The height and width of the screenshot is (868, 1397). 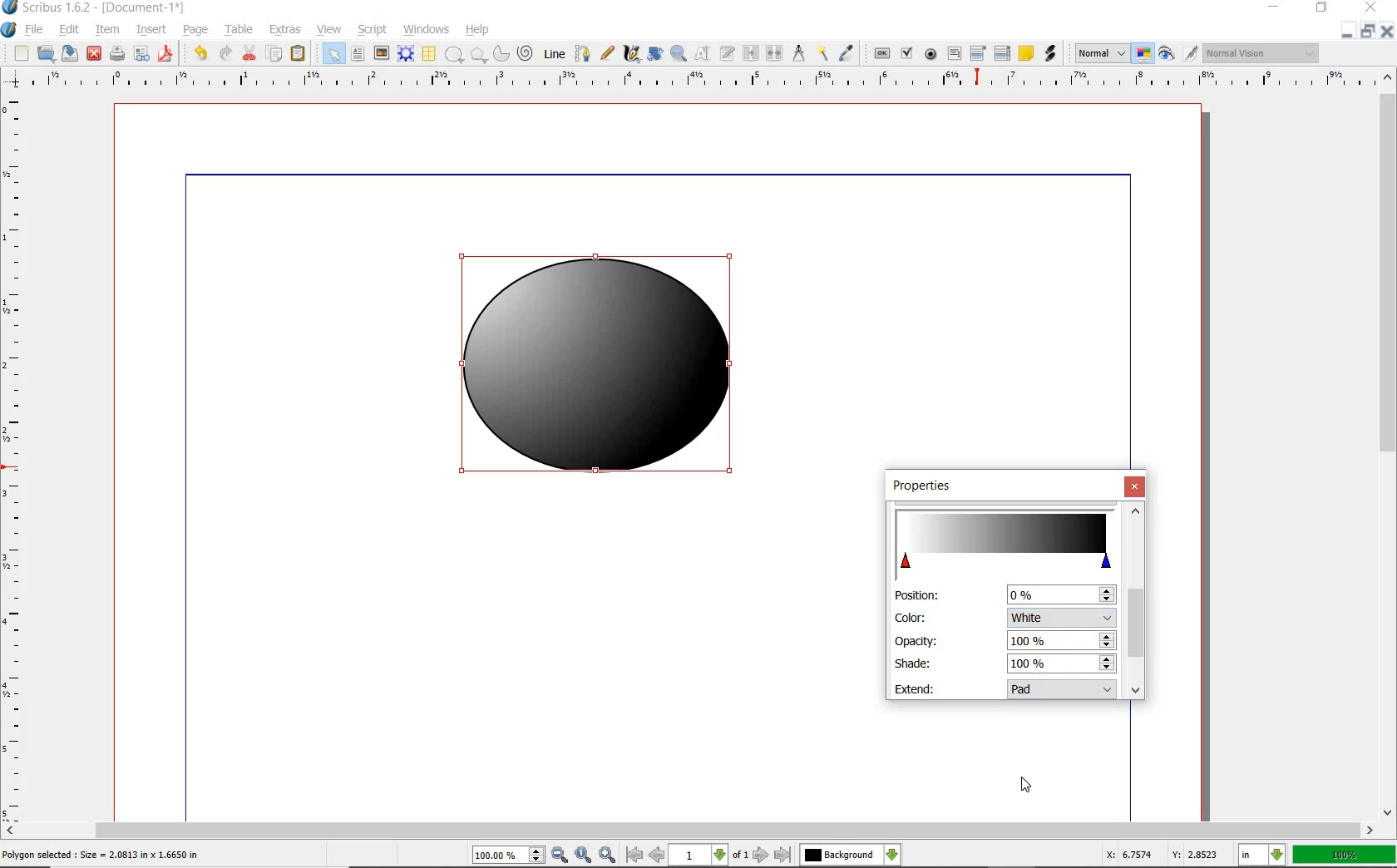 What do you see at coordinates (658, 855) in the screenshot?
I see `previous` at bounding box center [658, 855].